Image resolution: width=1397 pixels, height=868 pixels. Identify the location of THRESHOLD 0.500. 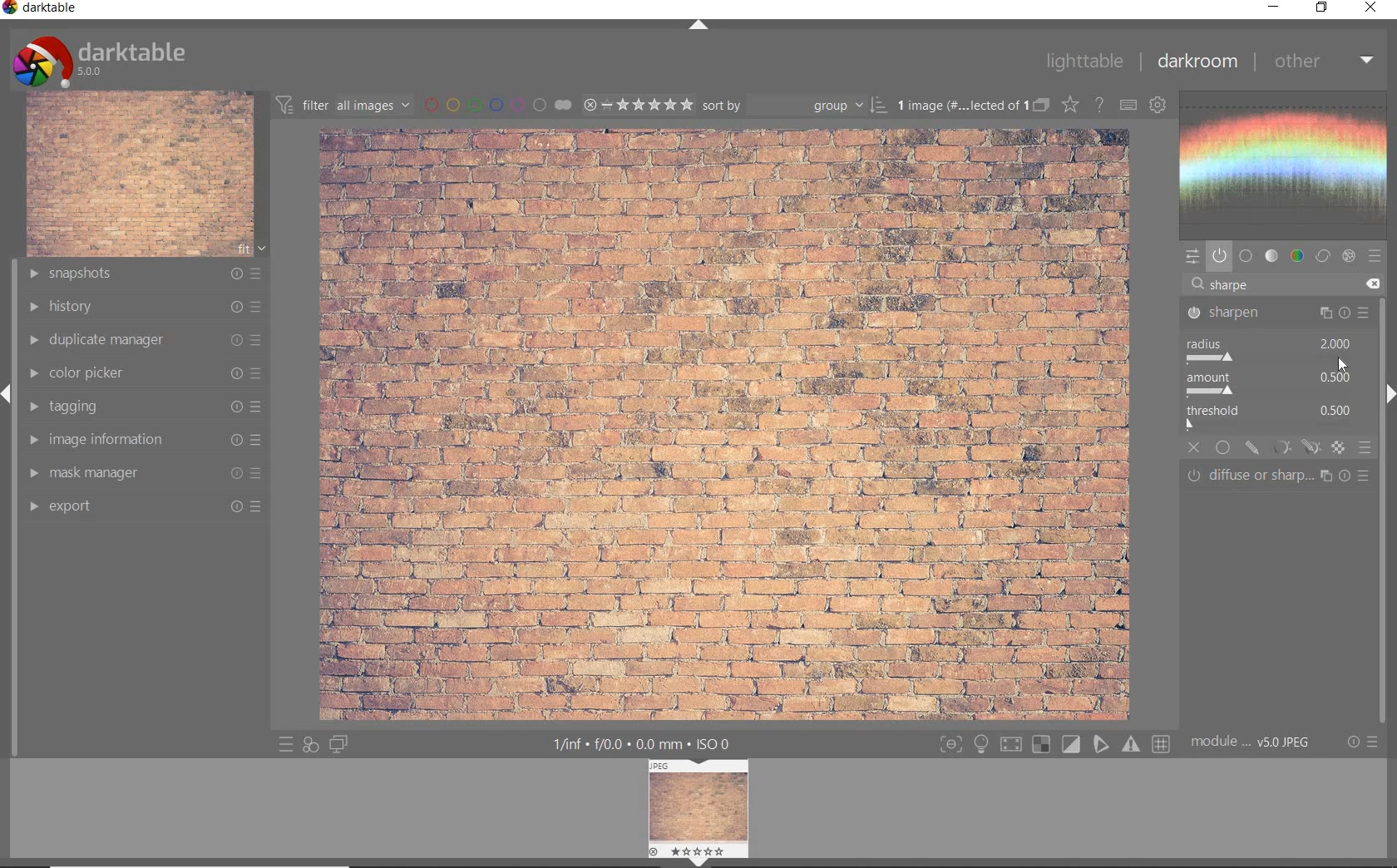
(1275, 418).